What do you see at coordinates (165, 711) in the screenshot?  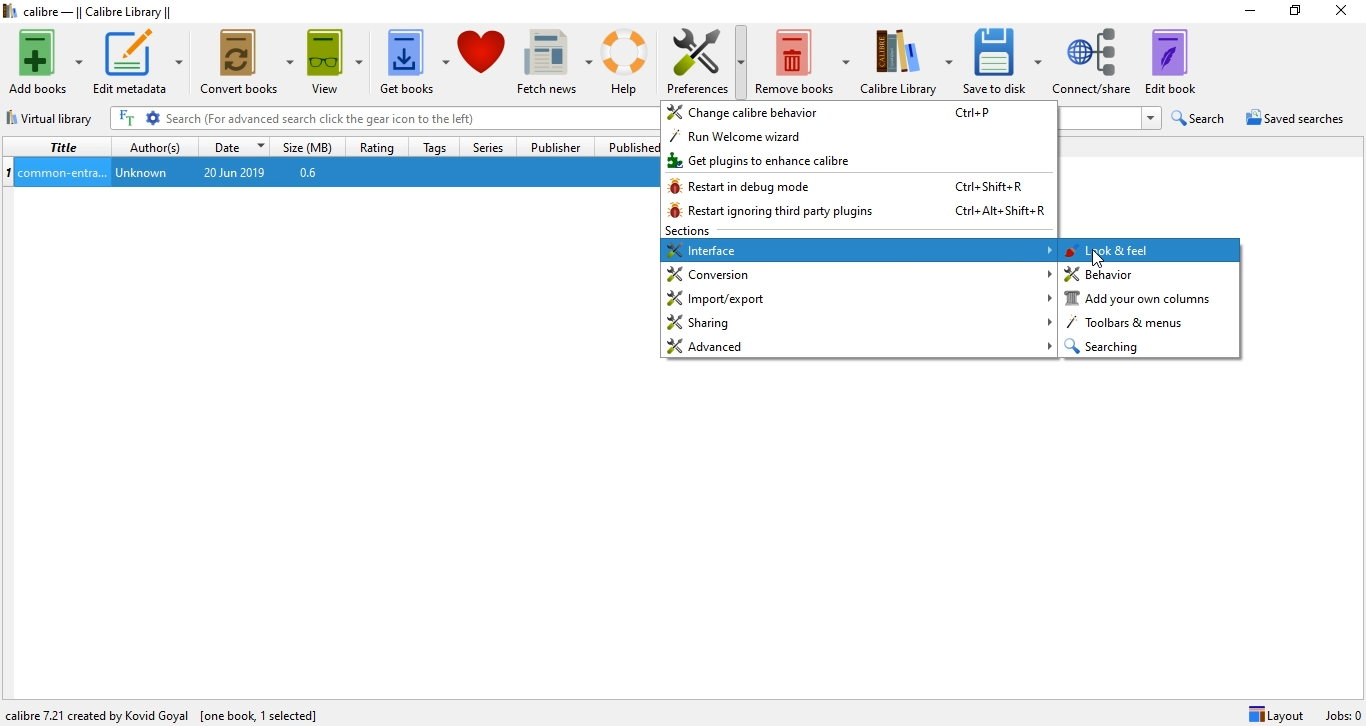 I see `Configure calibre` at bounding box center [165, 711].